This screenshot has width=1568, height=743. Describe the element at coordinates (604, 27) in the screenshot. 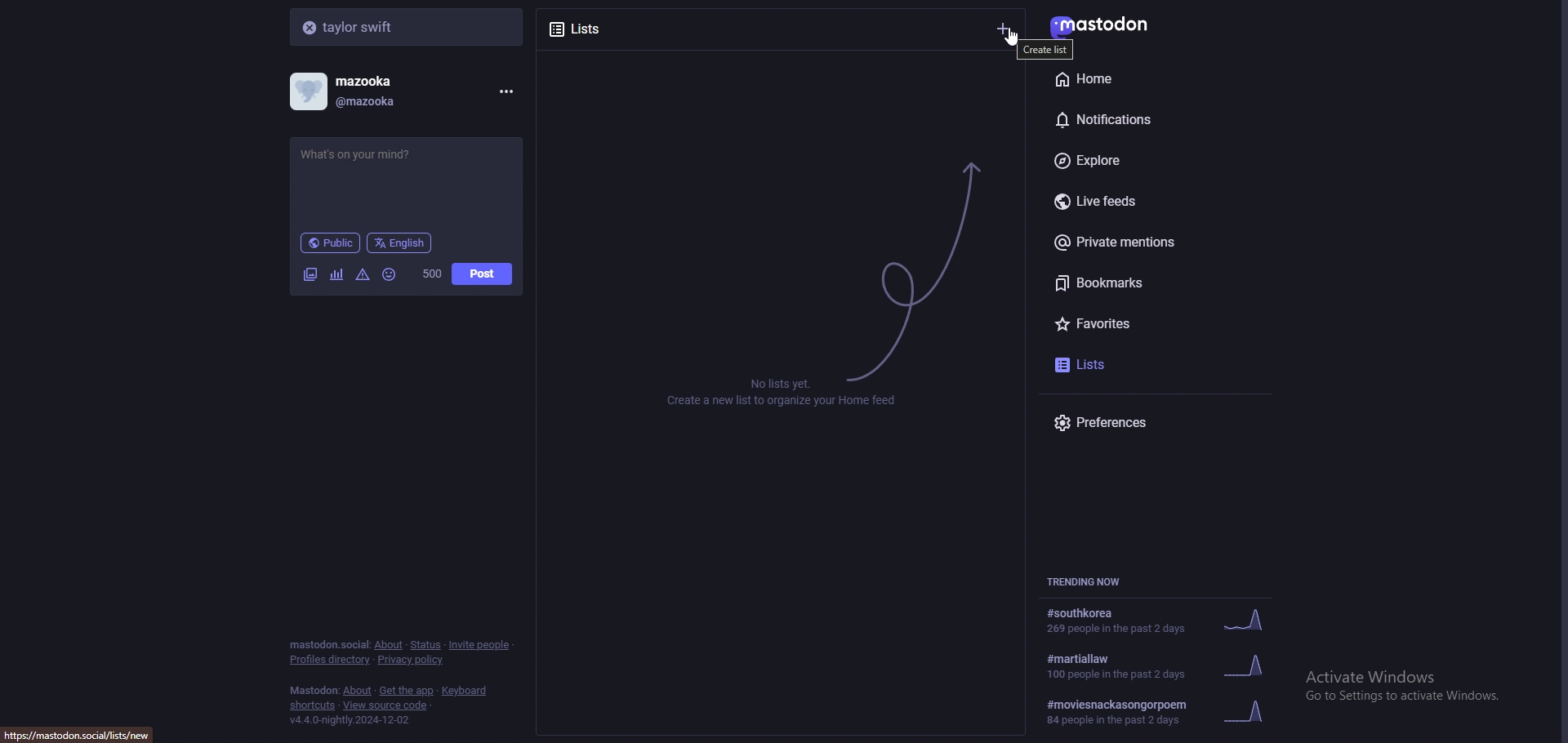

I see `lists` at that location.